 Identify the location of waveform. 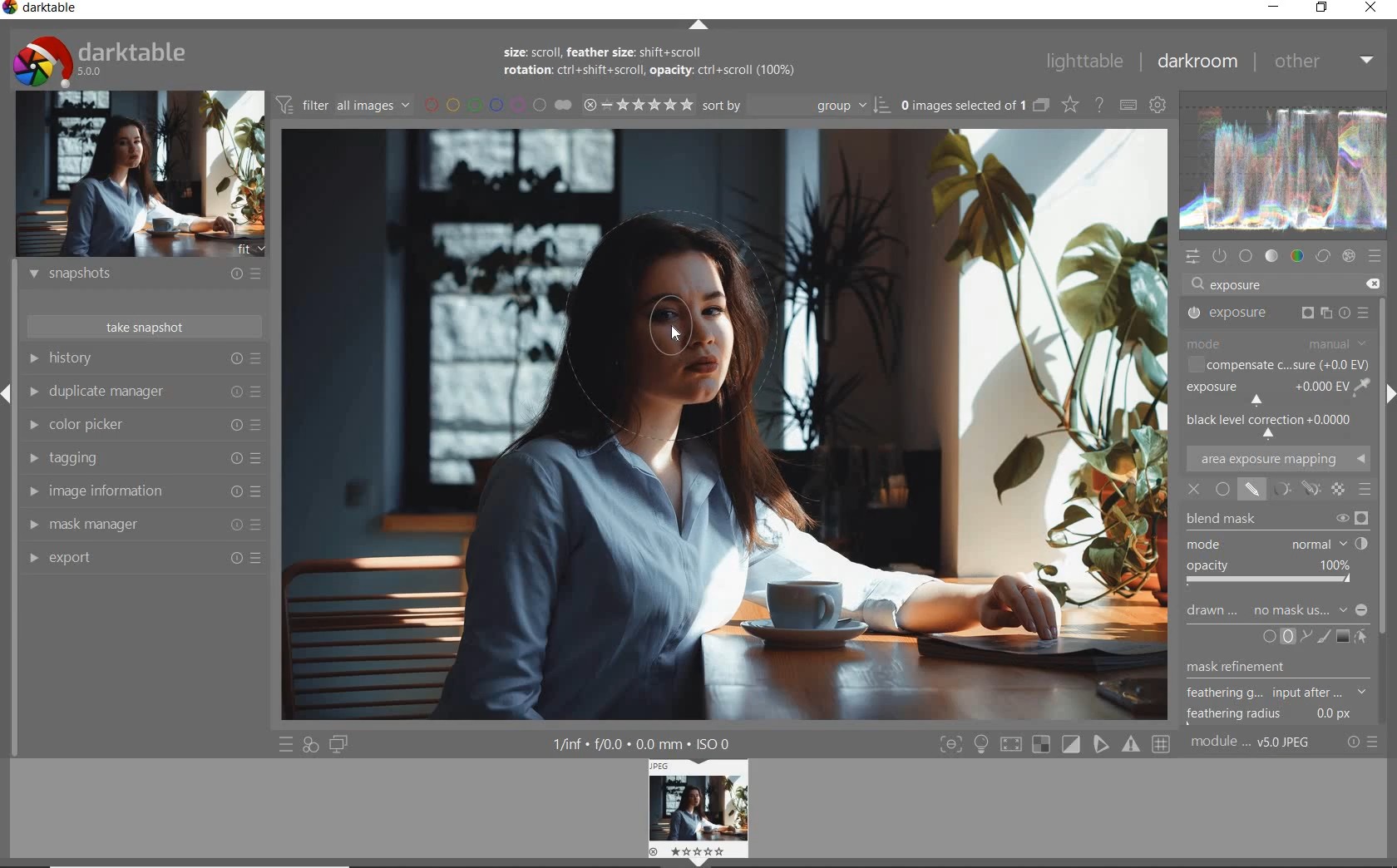
(1286, 169).